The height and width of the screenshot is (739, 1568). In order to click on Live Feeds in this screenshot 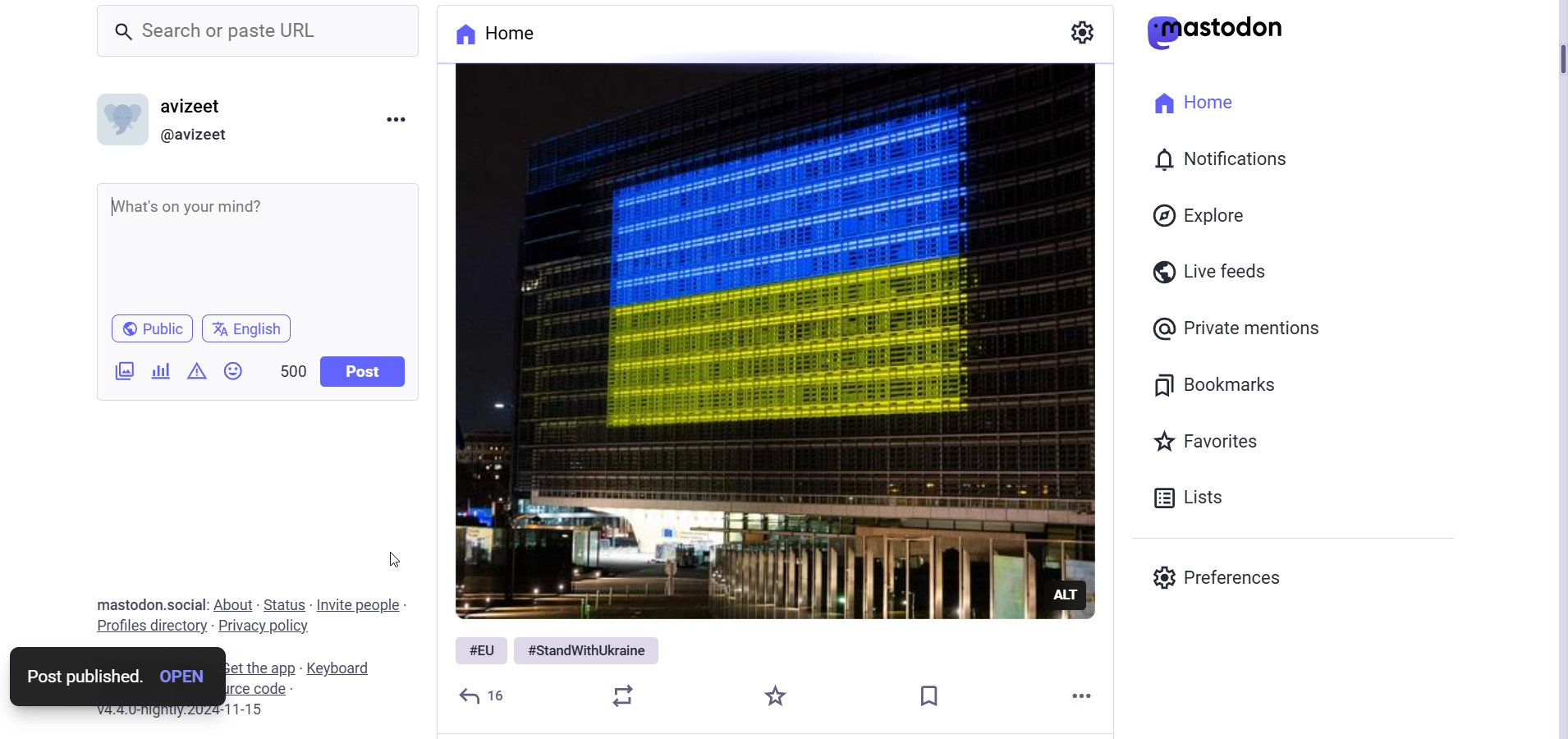, I will do `click(1216, 269)`.